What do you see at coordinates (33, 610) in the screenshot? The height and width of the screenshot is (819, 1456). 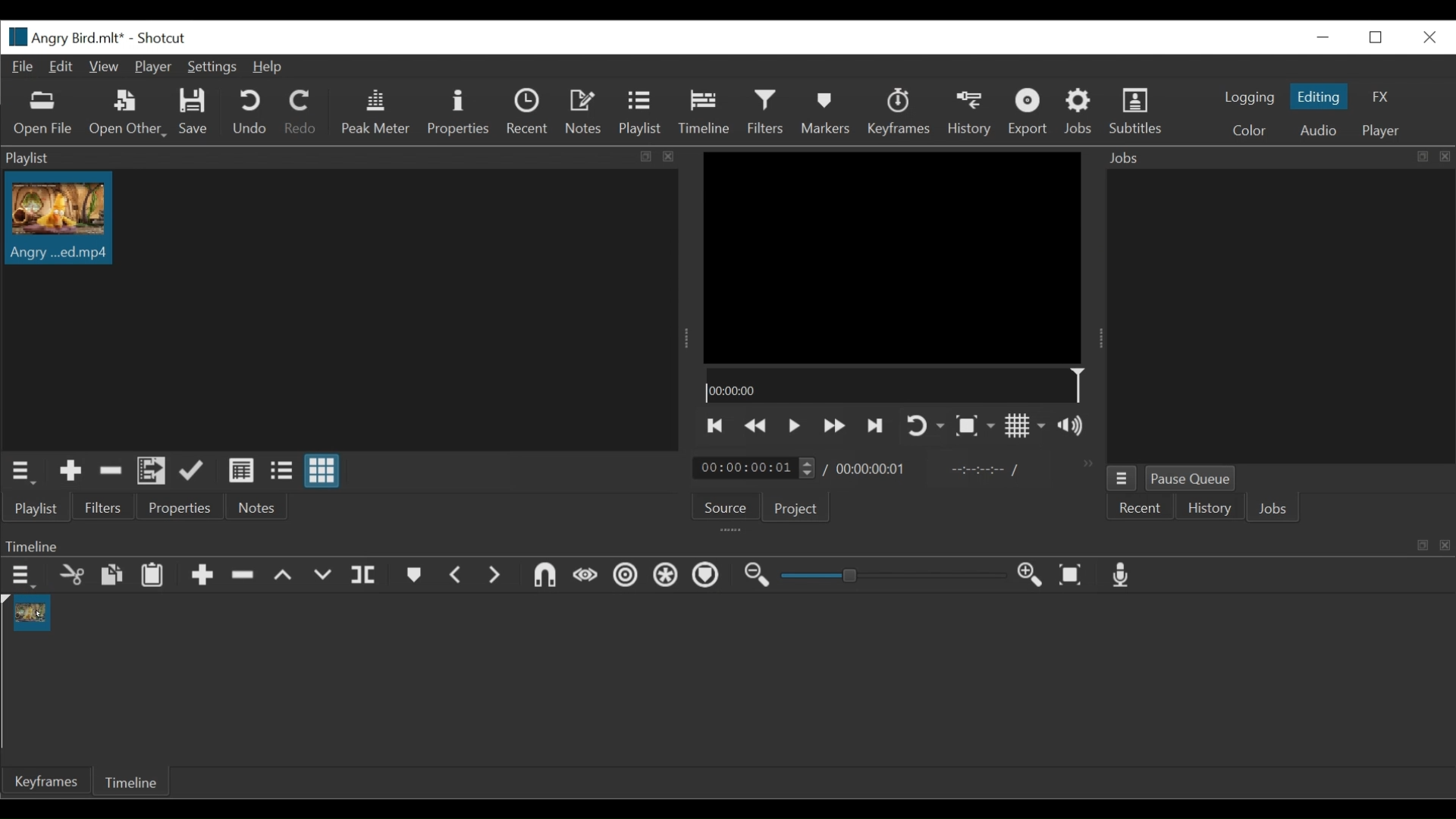 I see `Clip` at bounding box center [33, 610].